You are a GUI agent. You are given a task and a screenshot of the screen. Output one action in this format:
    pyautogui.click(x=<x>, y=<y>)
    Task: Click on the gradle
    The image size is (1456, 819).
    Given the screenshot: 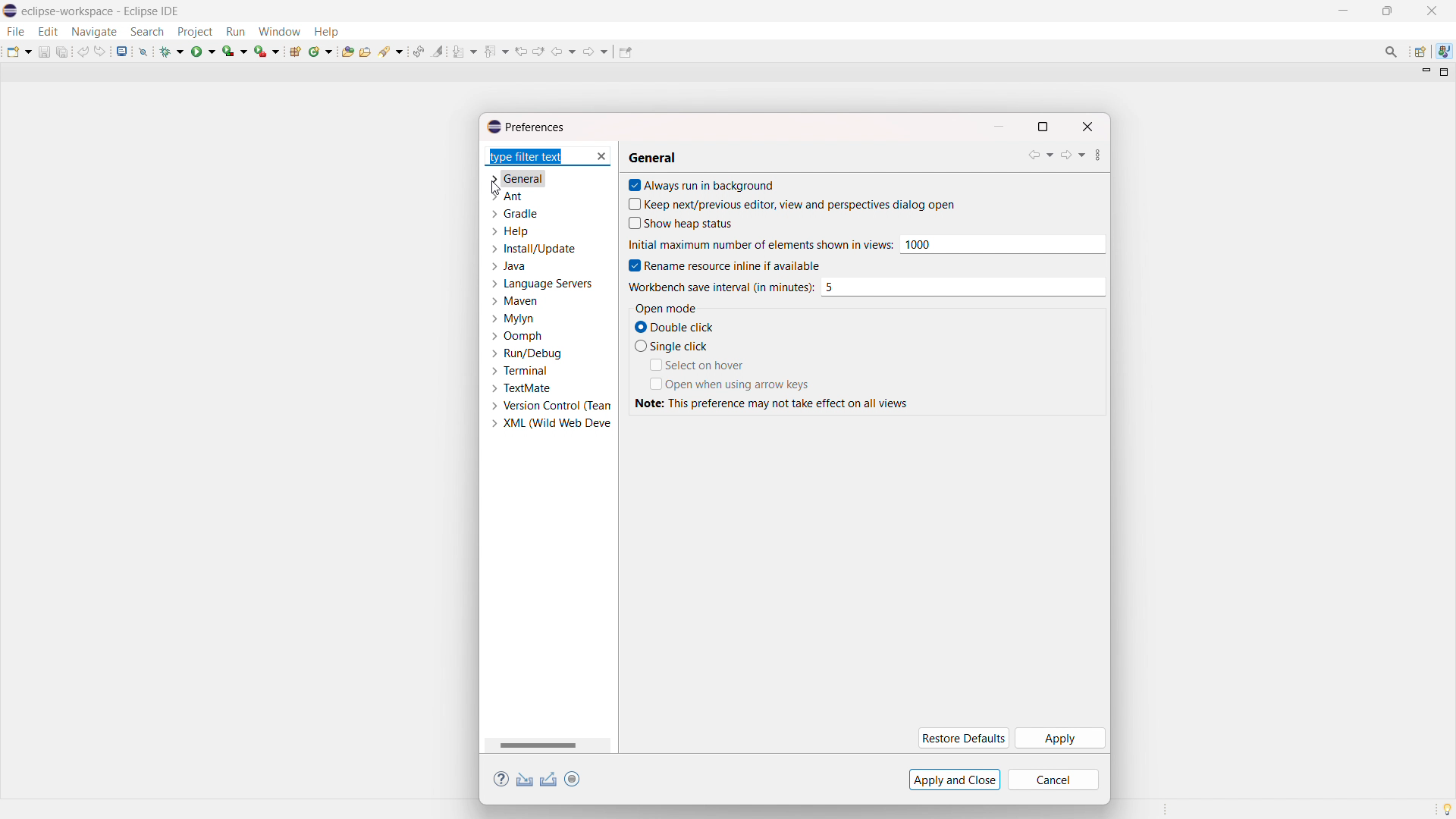 What is the action you would take?
    pyautogui.click(x=514, y=213)
    